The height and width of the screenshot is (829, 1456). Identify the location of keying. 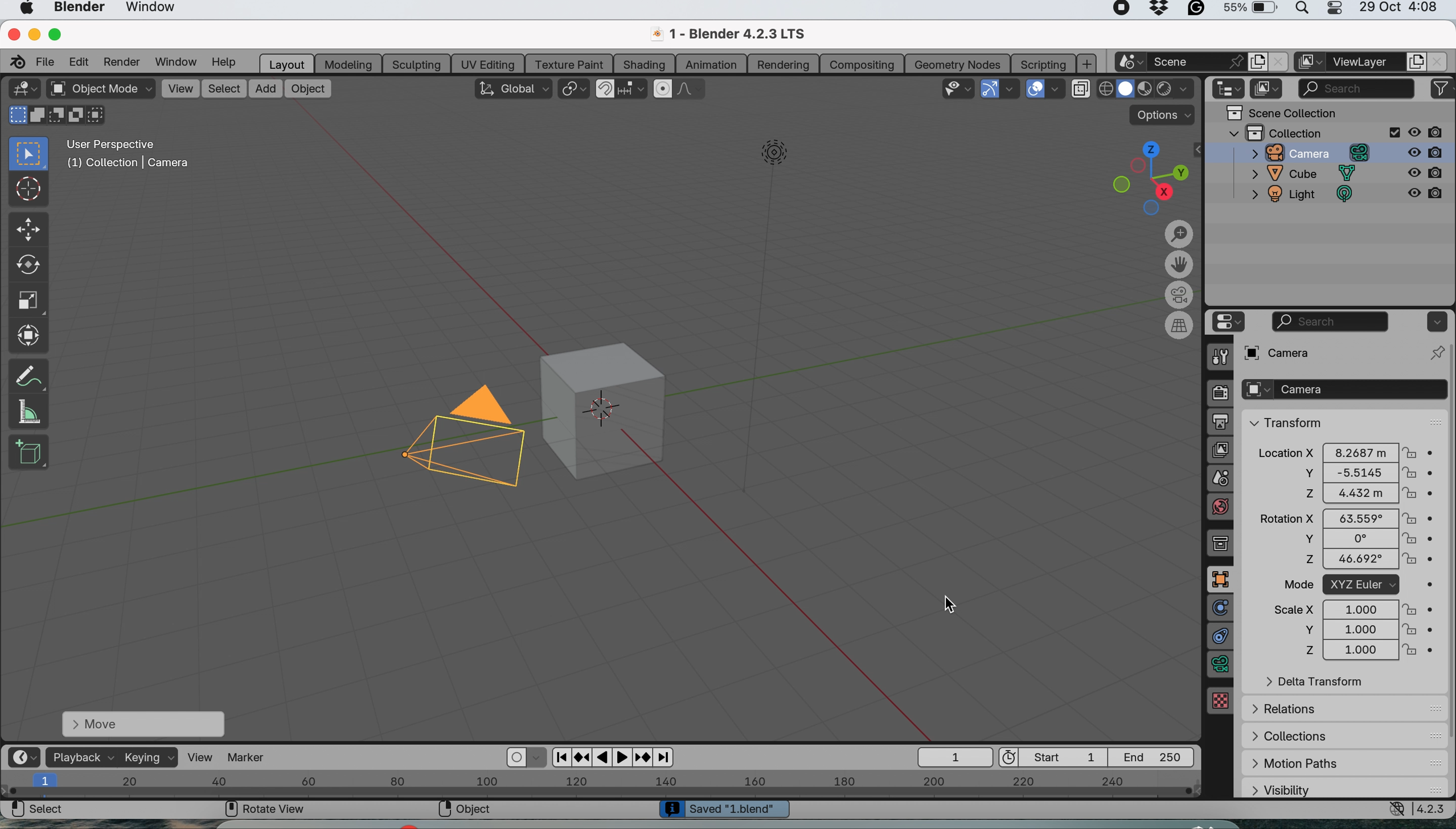
(148, 757).